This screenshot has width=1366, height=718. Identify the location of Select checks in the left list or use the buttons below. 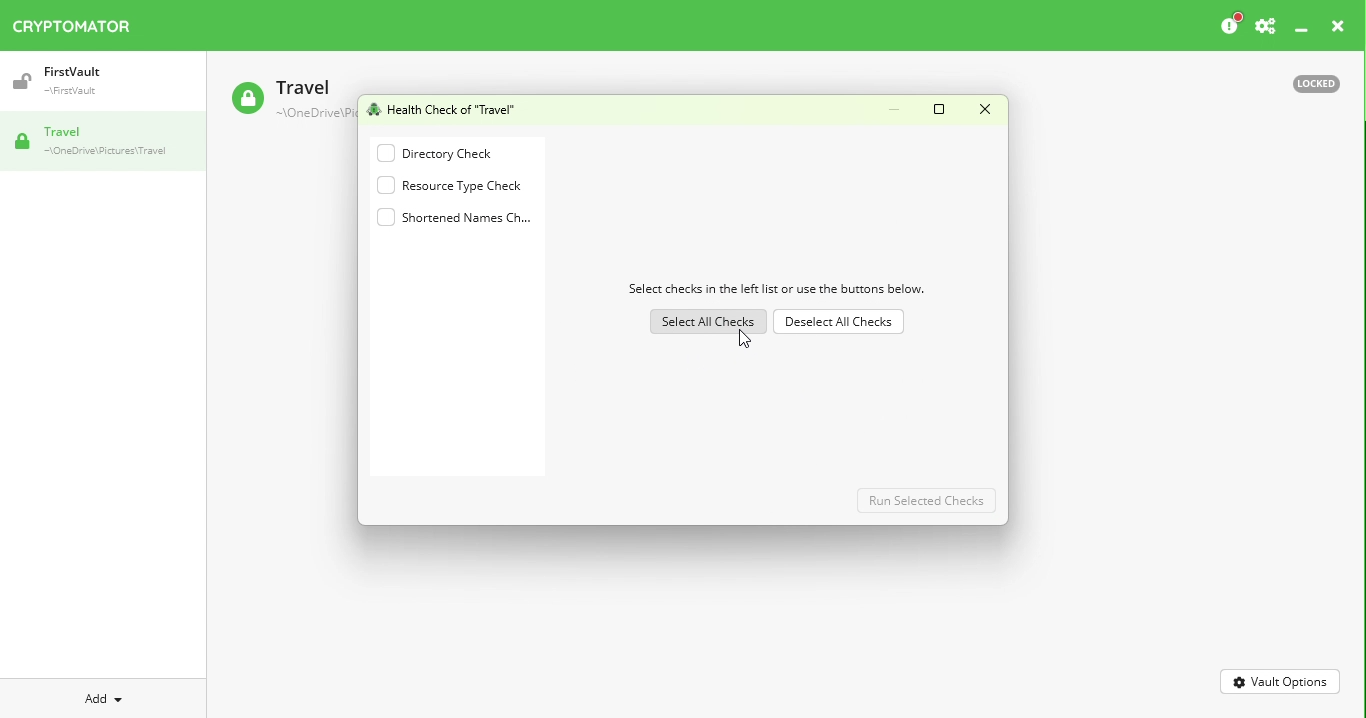
(776, 289).